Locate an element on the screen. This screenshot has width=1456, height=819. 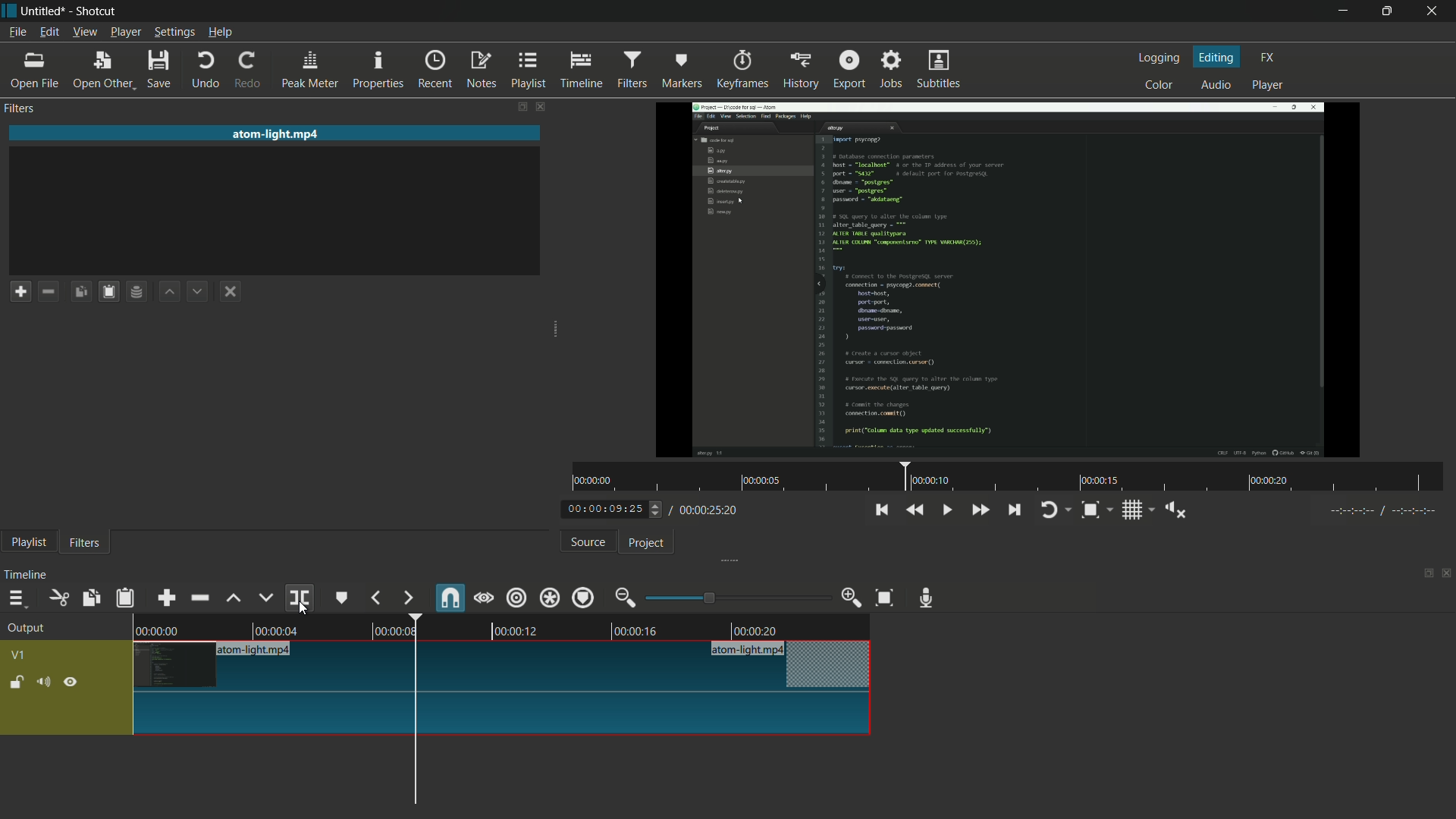
current time is located at coordinates (610, 510).